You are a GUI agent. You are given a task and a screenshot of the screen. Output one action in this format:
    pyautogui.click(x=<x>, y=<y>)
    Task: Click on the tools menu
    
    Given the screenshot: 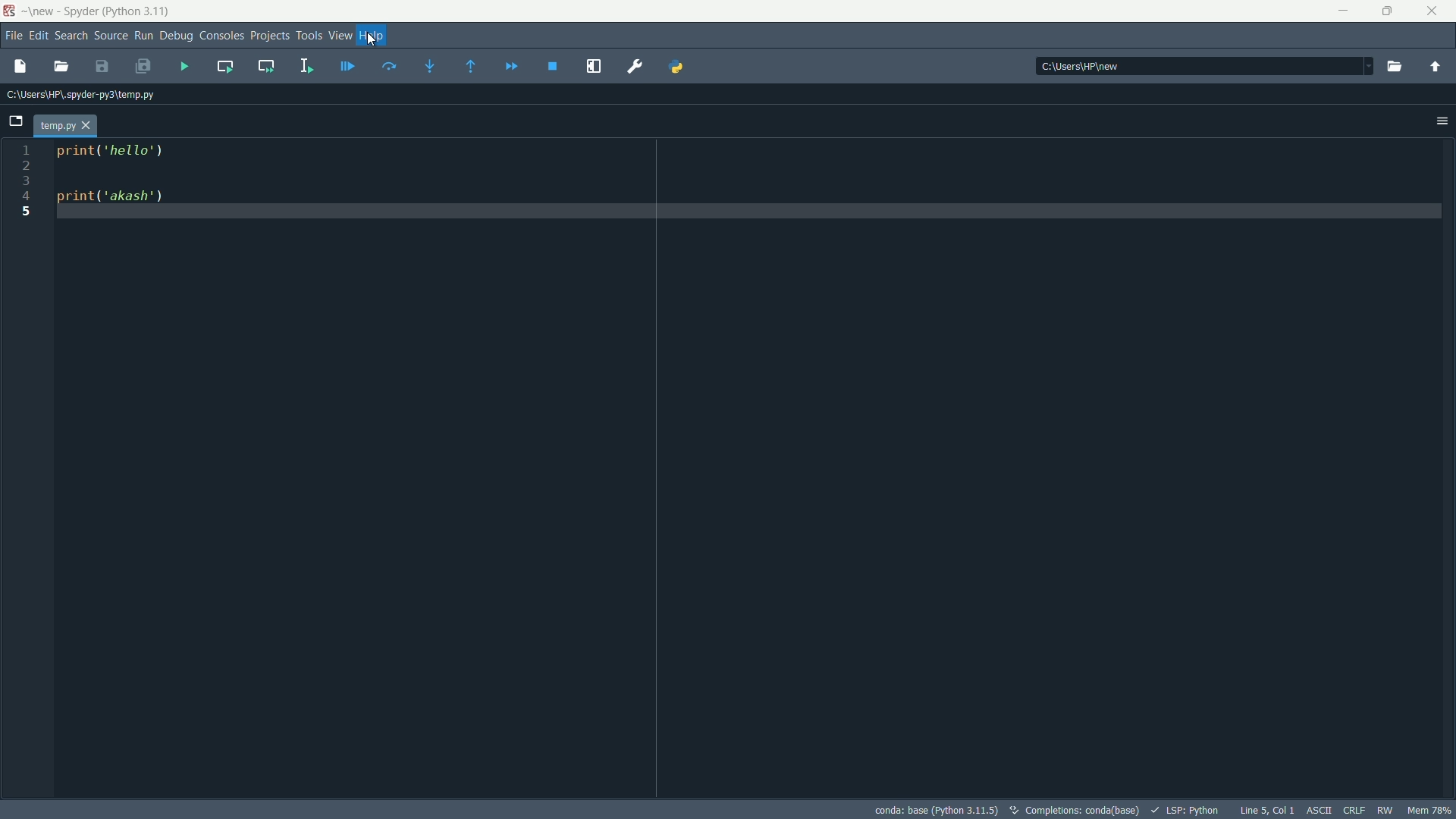 What is the action you would take?
    pyautogui.click(x=309, y=35)
    